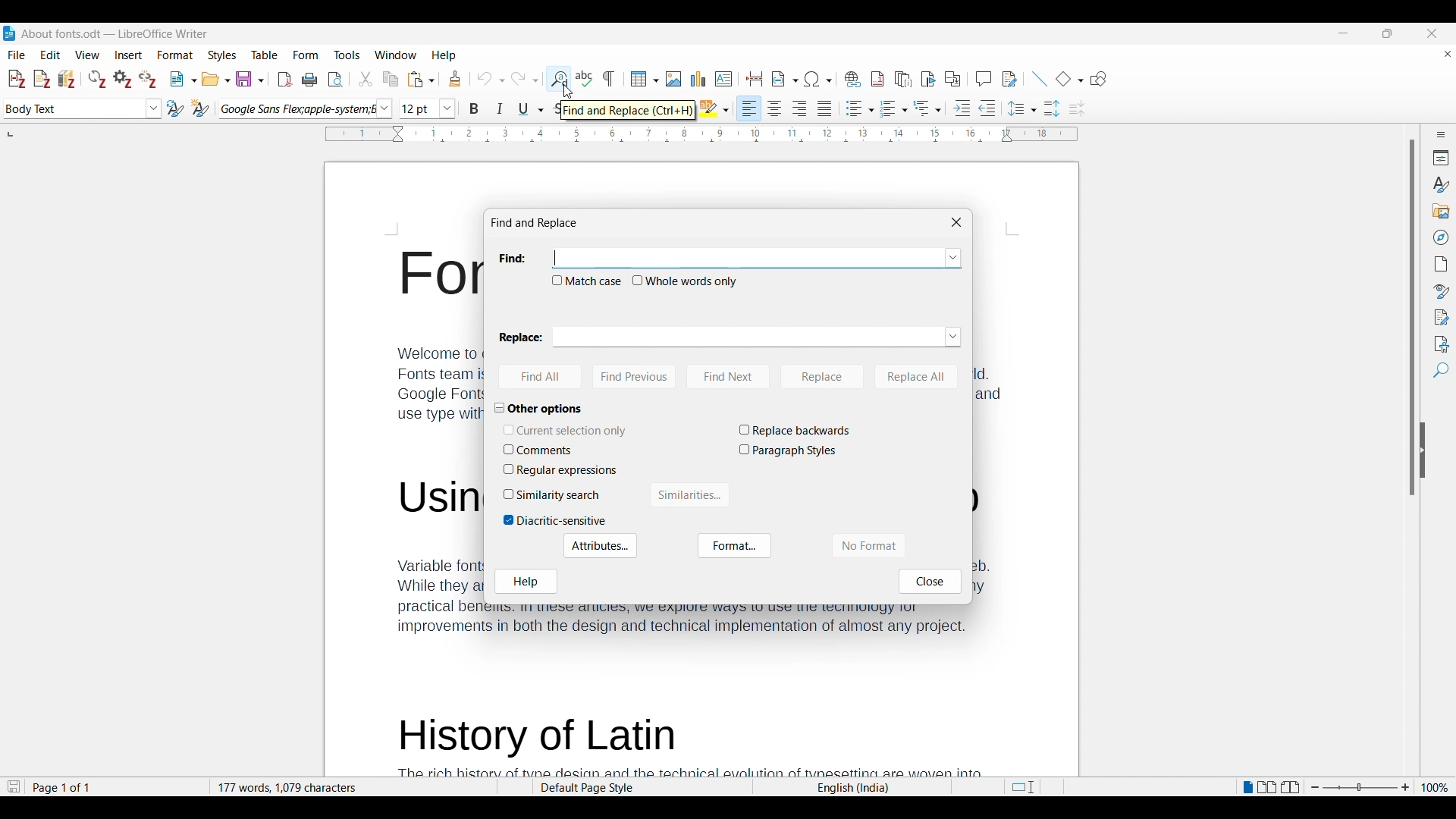 The image size is (1456, 819). Describe the element at coordinates (1315, 787) in the screenshot. I see `Zoom out` at that location.